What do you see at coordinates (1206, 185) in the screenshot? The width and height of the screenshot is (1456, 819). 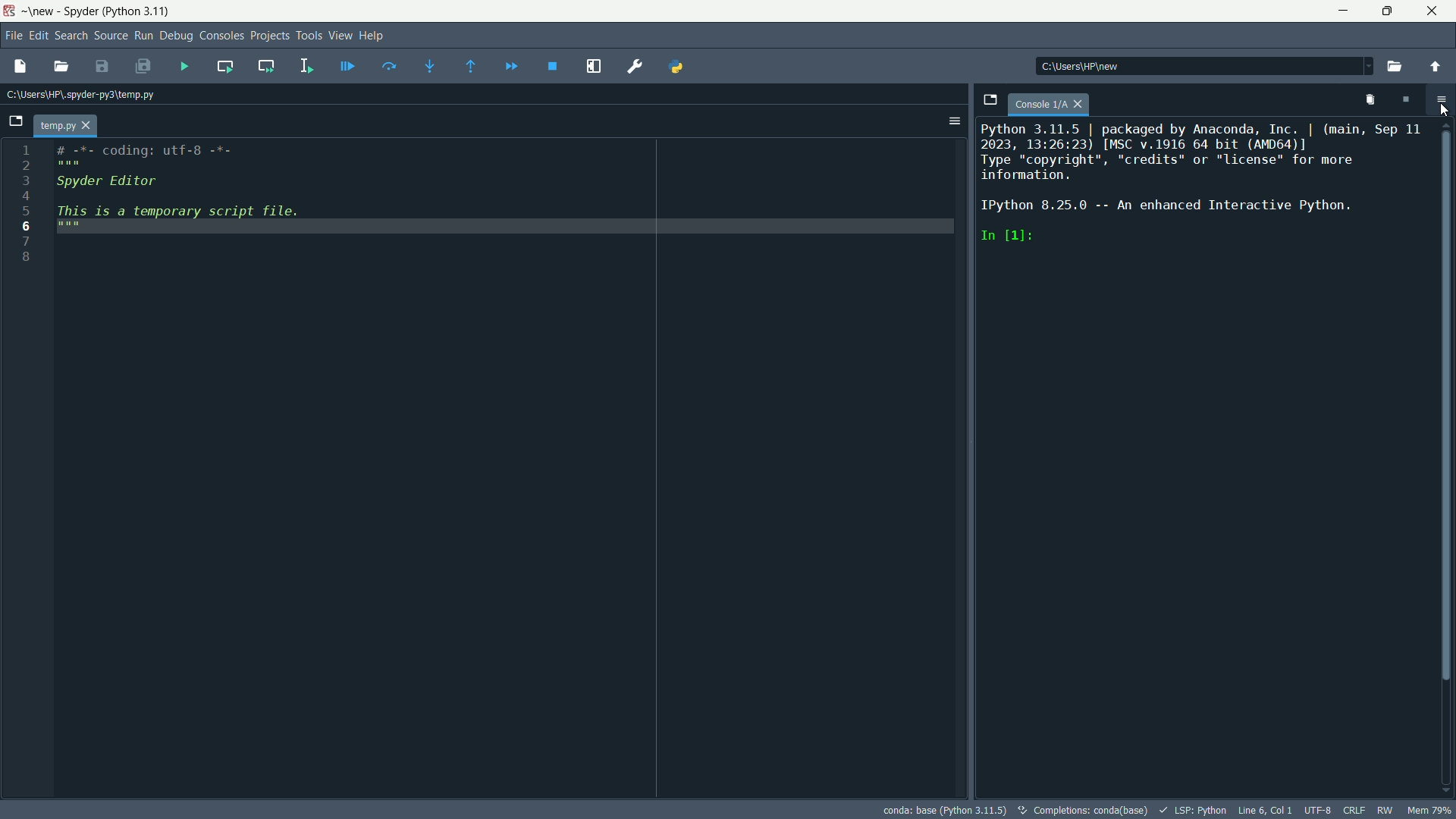 I see `Python 3.11.10 | packaged by conda-forge | (main, Oct 16 2024, 01:17:14) [MSC v.1941 64 bit (AMD64)] Type "copyright", "credits" or "license" for more information.  IPython 8.30.0 -- An enhanced Interactive Python.  In(1):` at bounding box center [1206, 185].